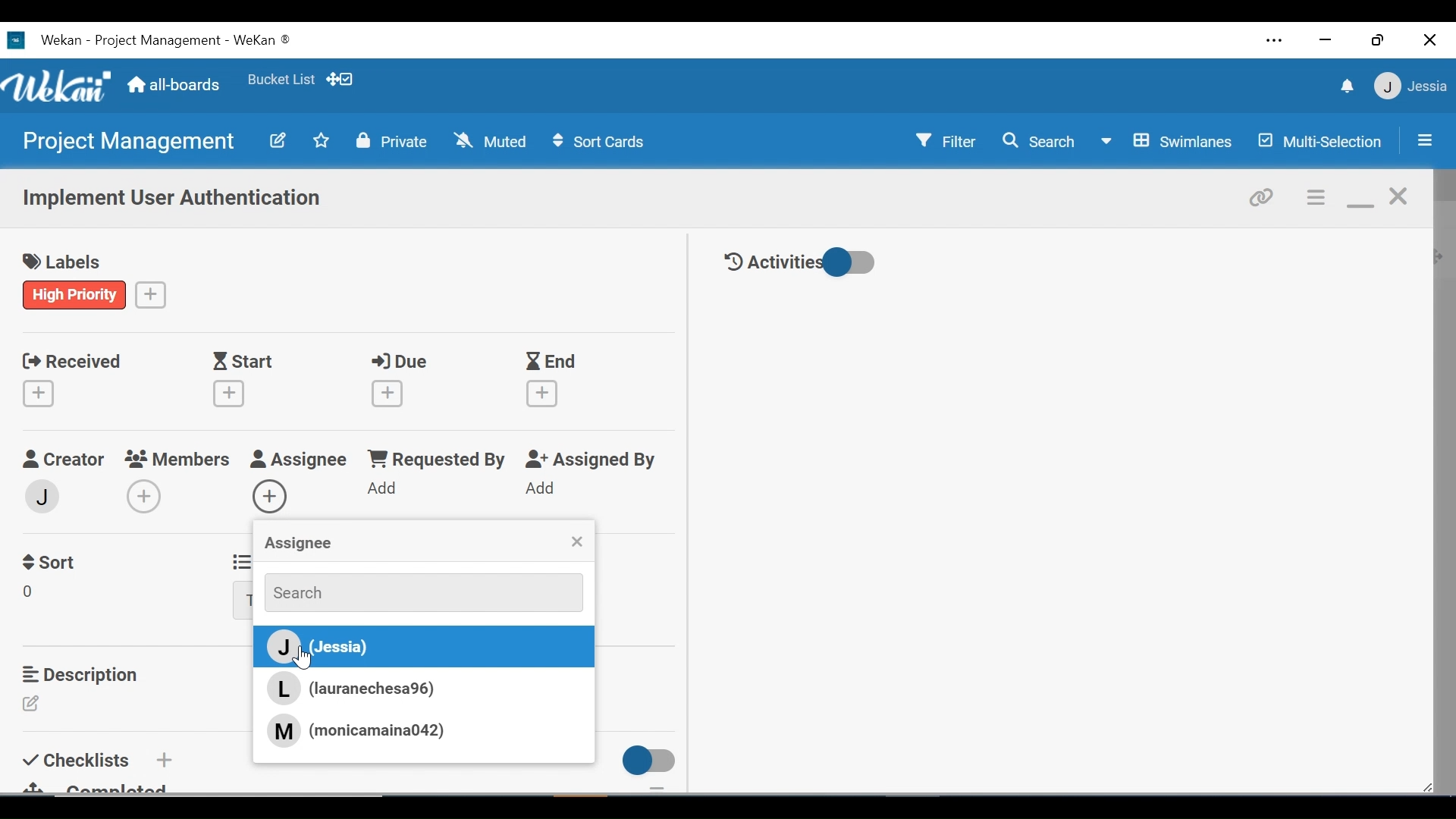 This screenshot has width=1456, height=819. What do you see at coordinates (1169, 140) in the screenshot?
I see `Board View swimlanes` at bounding box center [1169, 140].